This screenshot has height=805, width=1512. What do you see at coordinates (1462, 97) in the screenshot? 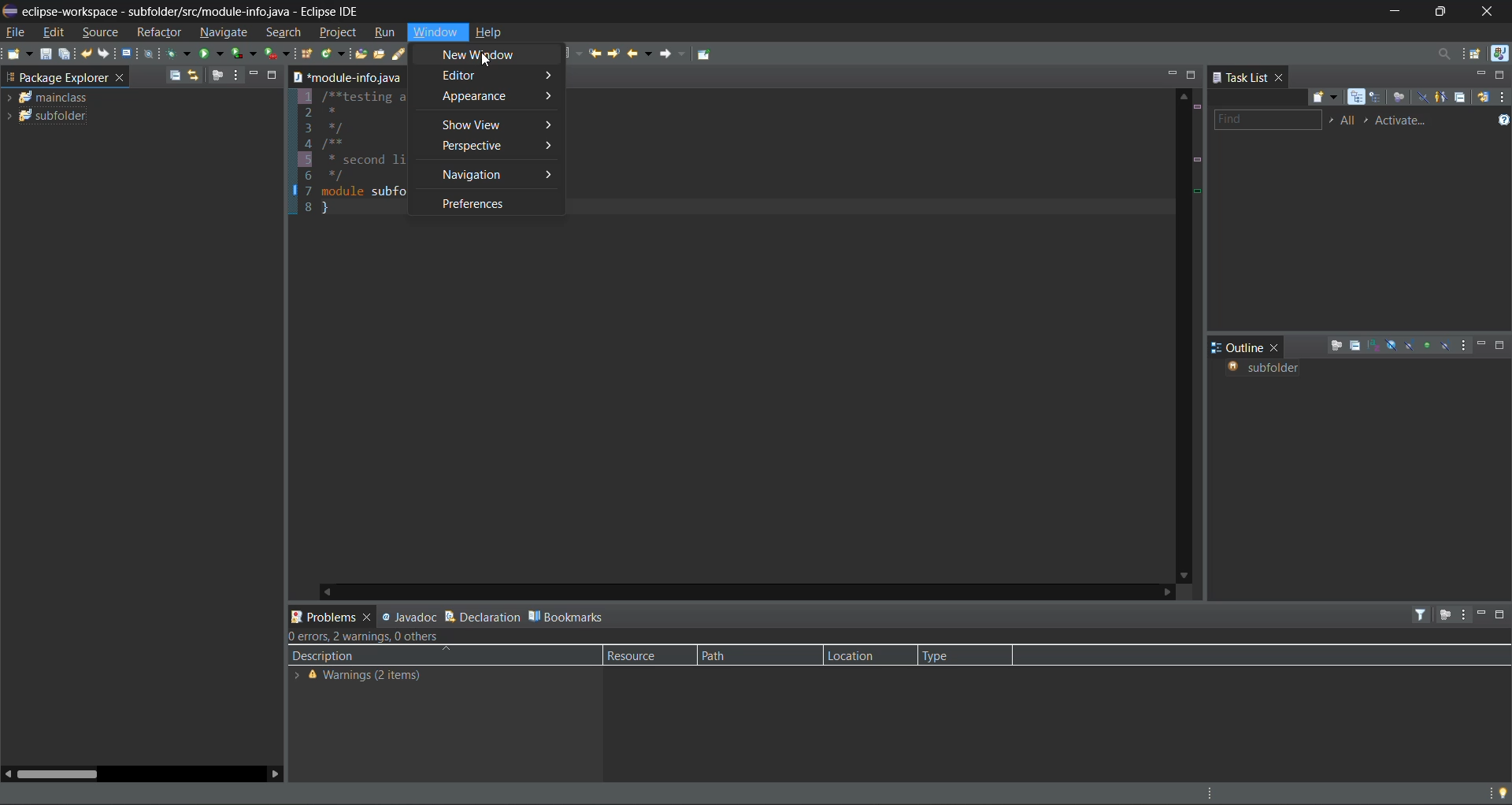
I see `collapse all` at bounding box center [1462, 97].